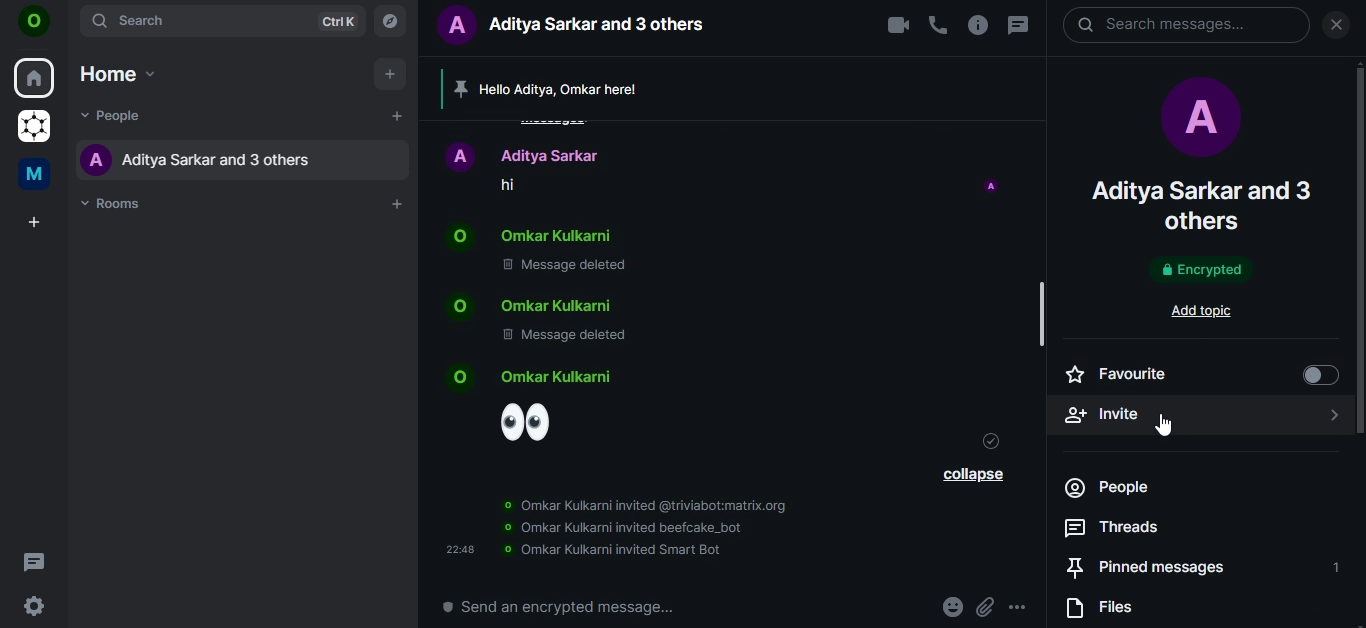 The height and width of the screenshot is (628, 1366). What do you see at coordinates (992, 188) in the screenshot?
I see `icon` at bounding box center [992, 188].